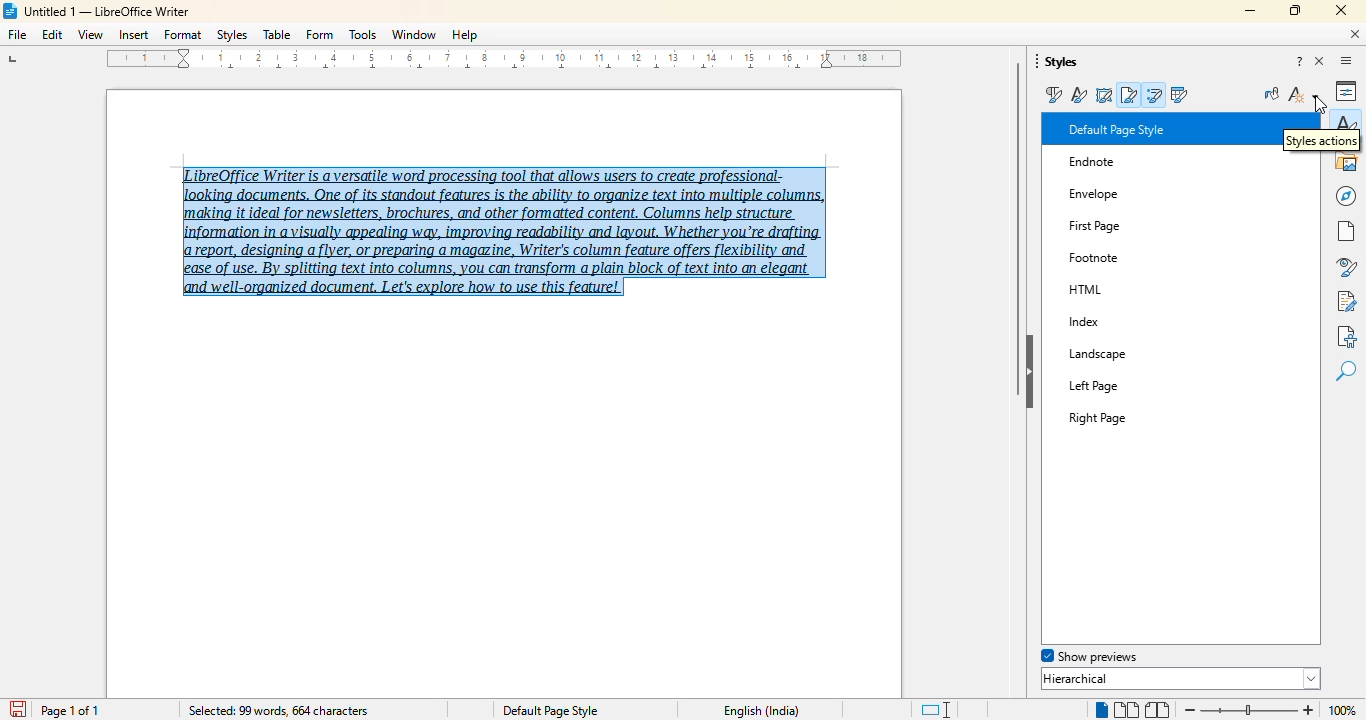 The width and height of the screenshot is (1366, 720). Describe the element at coordinates (1087, 656) in the screenshot. I see `show previews` at that location.